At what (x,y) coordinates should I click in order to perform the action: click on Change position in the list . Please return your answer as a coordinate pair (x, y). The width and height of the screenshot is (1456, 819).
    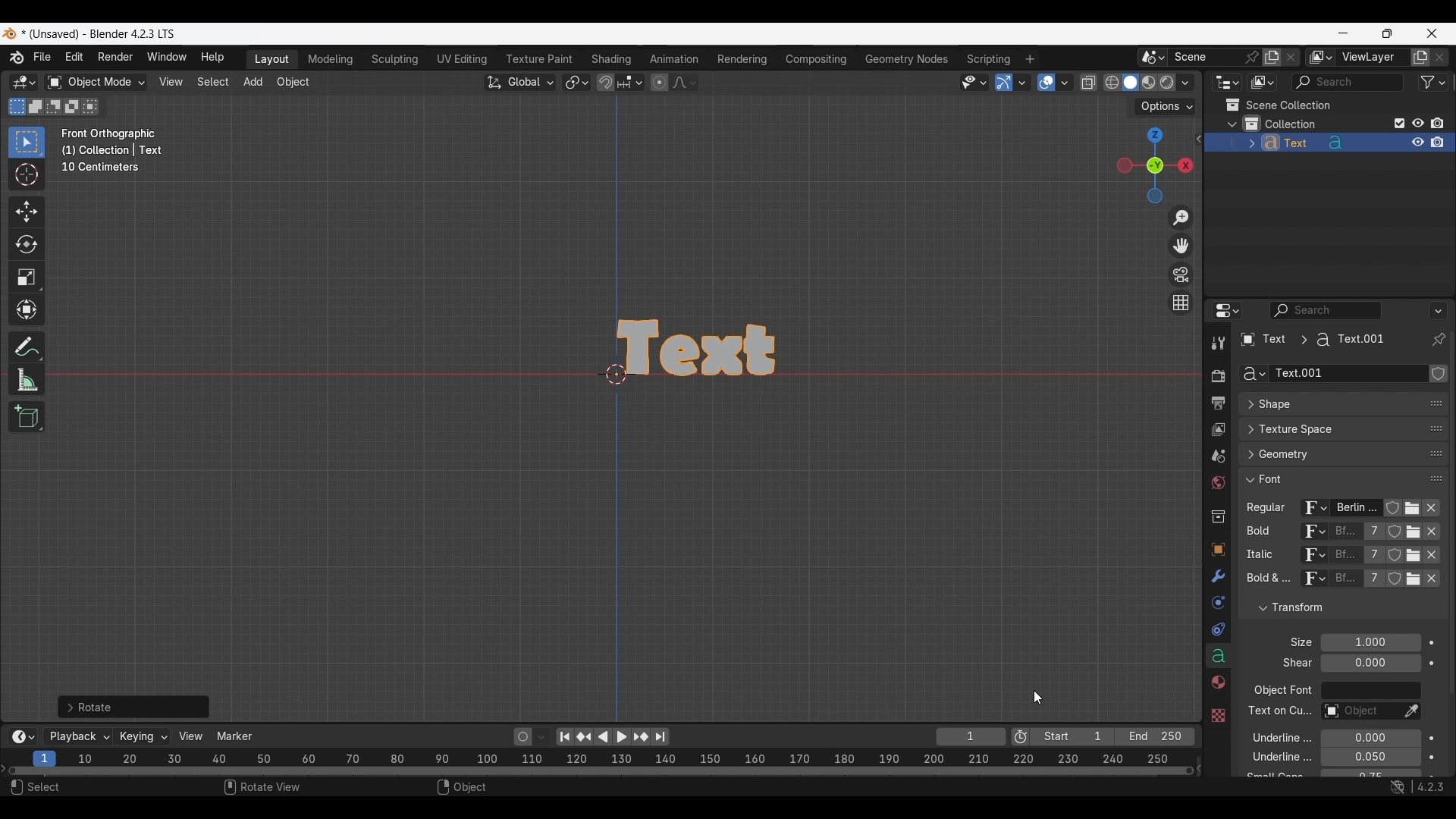
    Looking at the image, I should click on (1436, 475).